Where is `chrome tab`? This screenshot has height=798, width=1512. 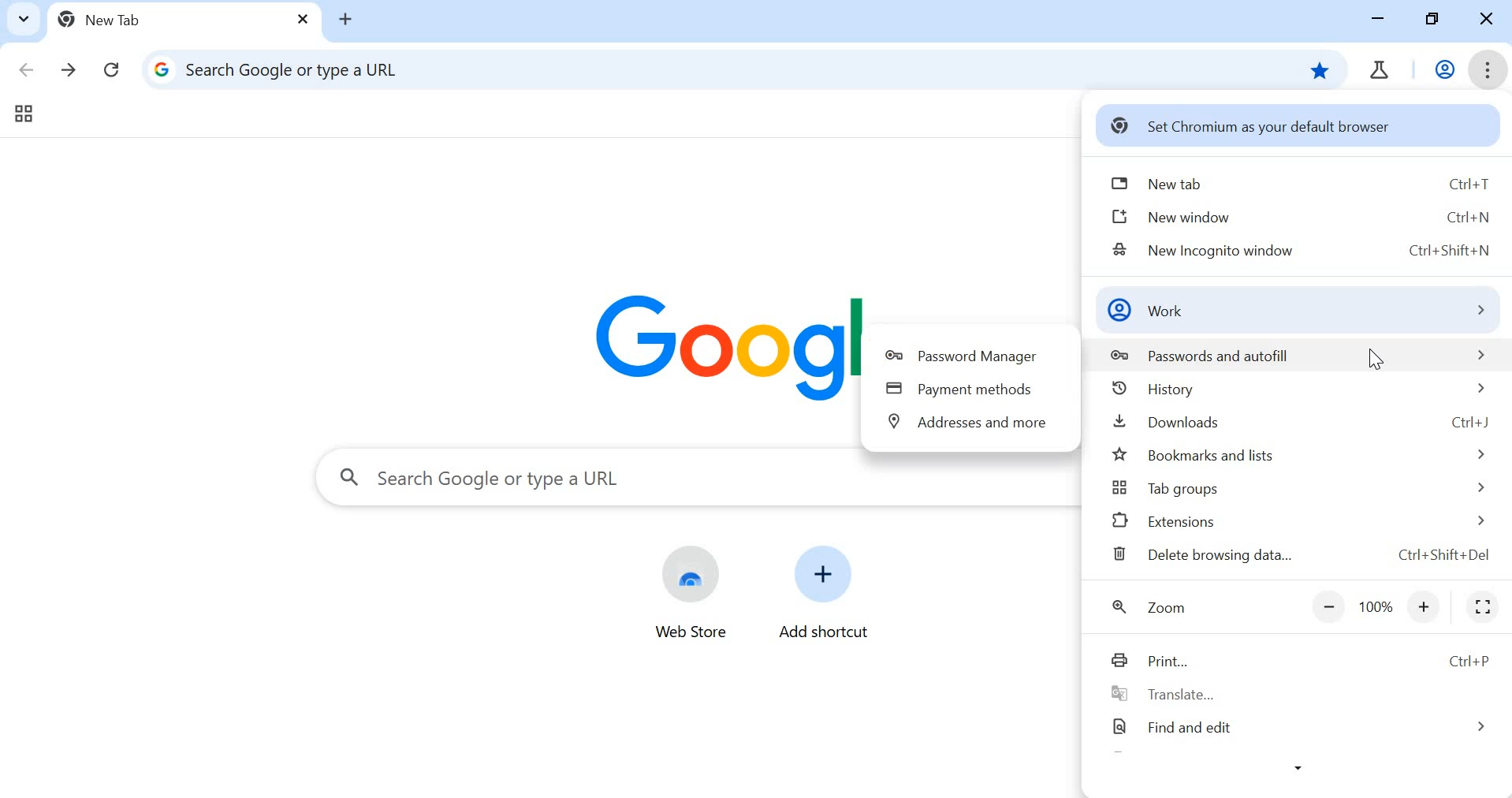
chrome tab is located at coordinates (1380, 69).